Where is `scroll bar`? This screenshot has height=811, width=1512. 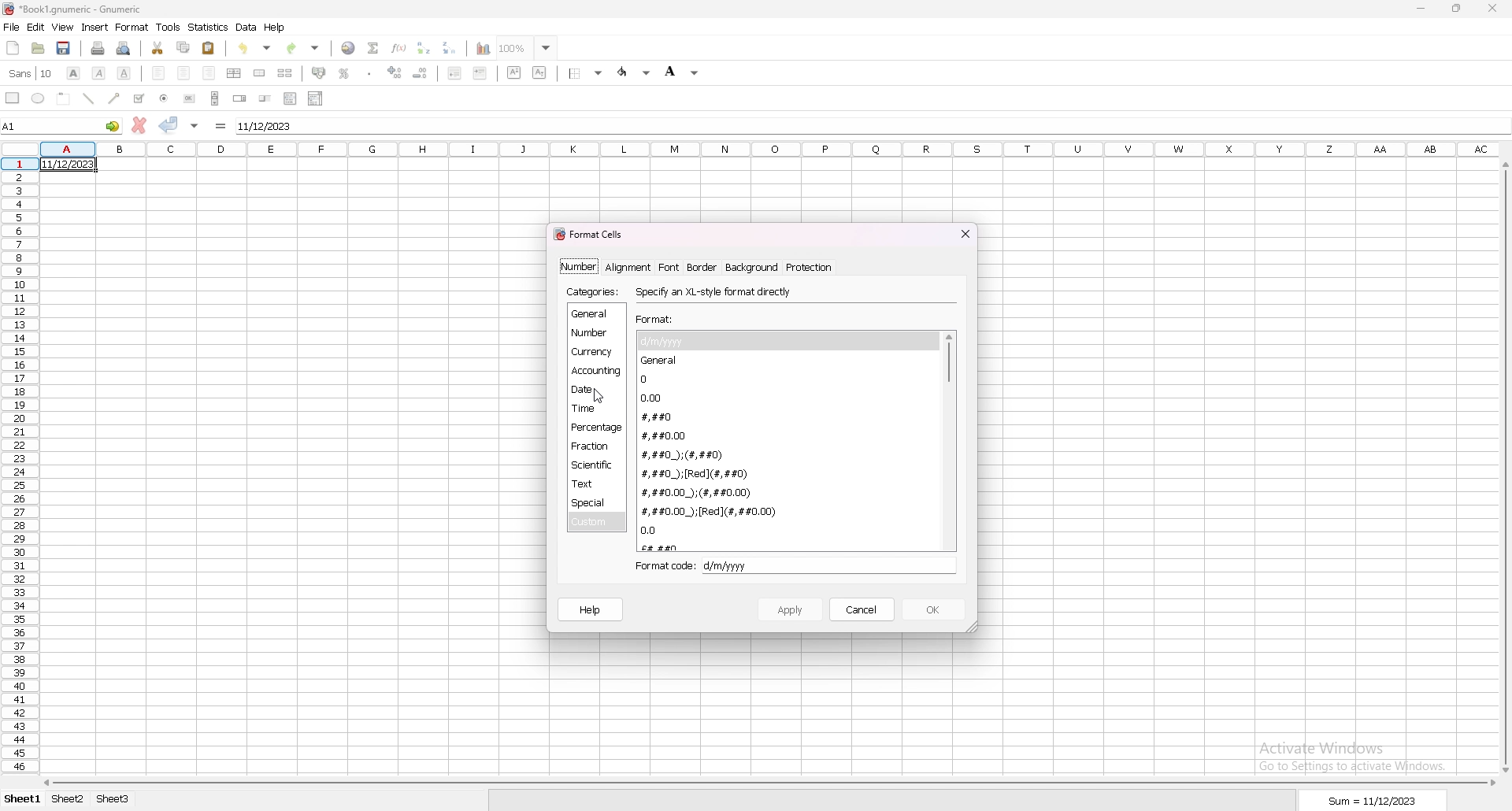 scroll bar is located at coordinates (948, 442).